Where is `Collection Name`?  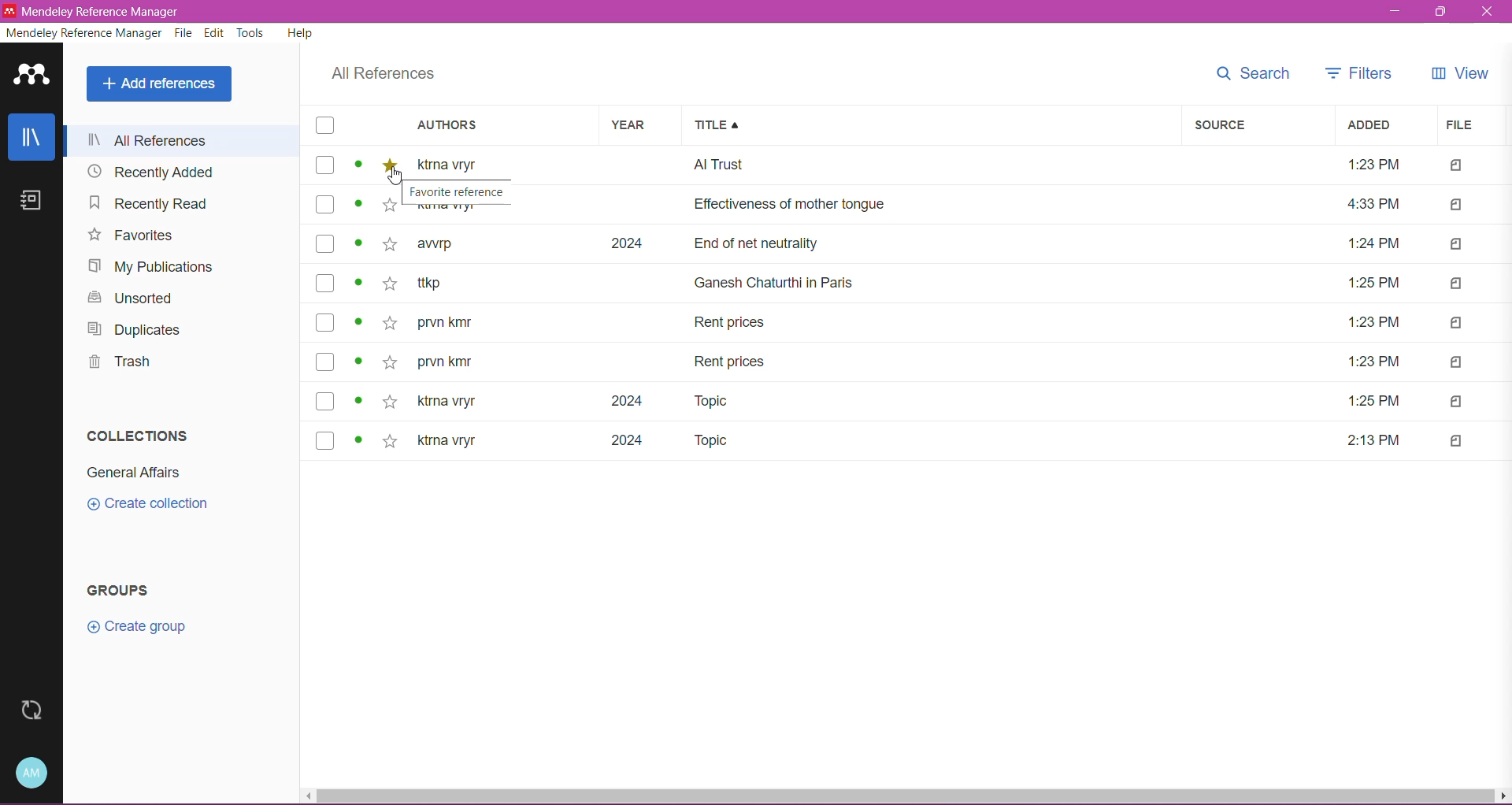
Collection Name is located at coordinates (128, 475).